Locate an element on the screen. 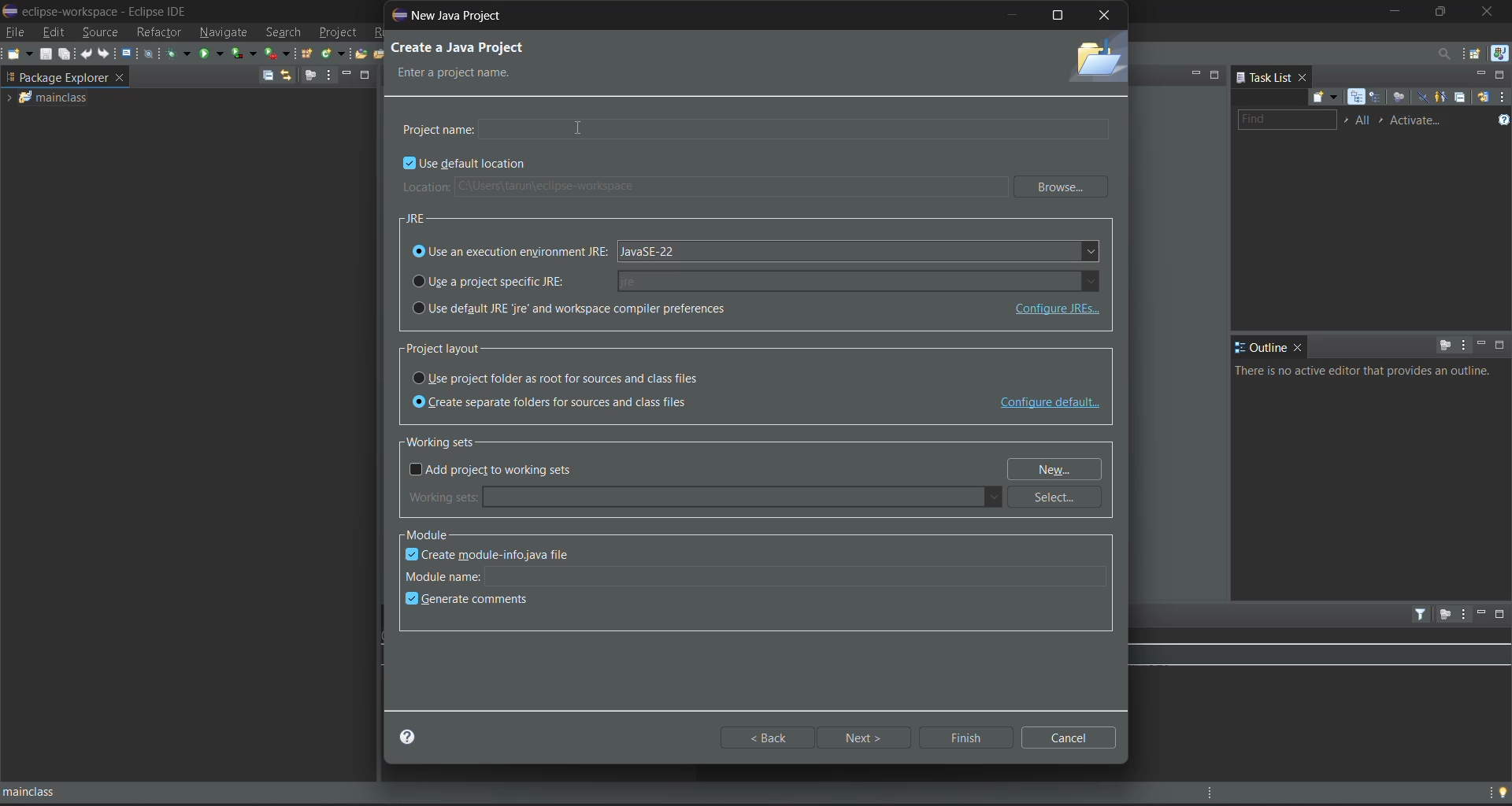 The image size is (1512, 806). undo is located at coordinates (88, 53).